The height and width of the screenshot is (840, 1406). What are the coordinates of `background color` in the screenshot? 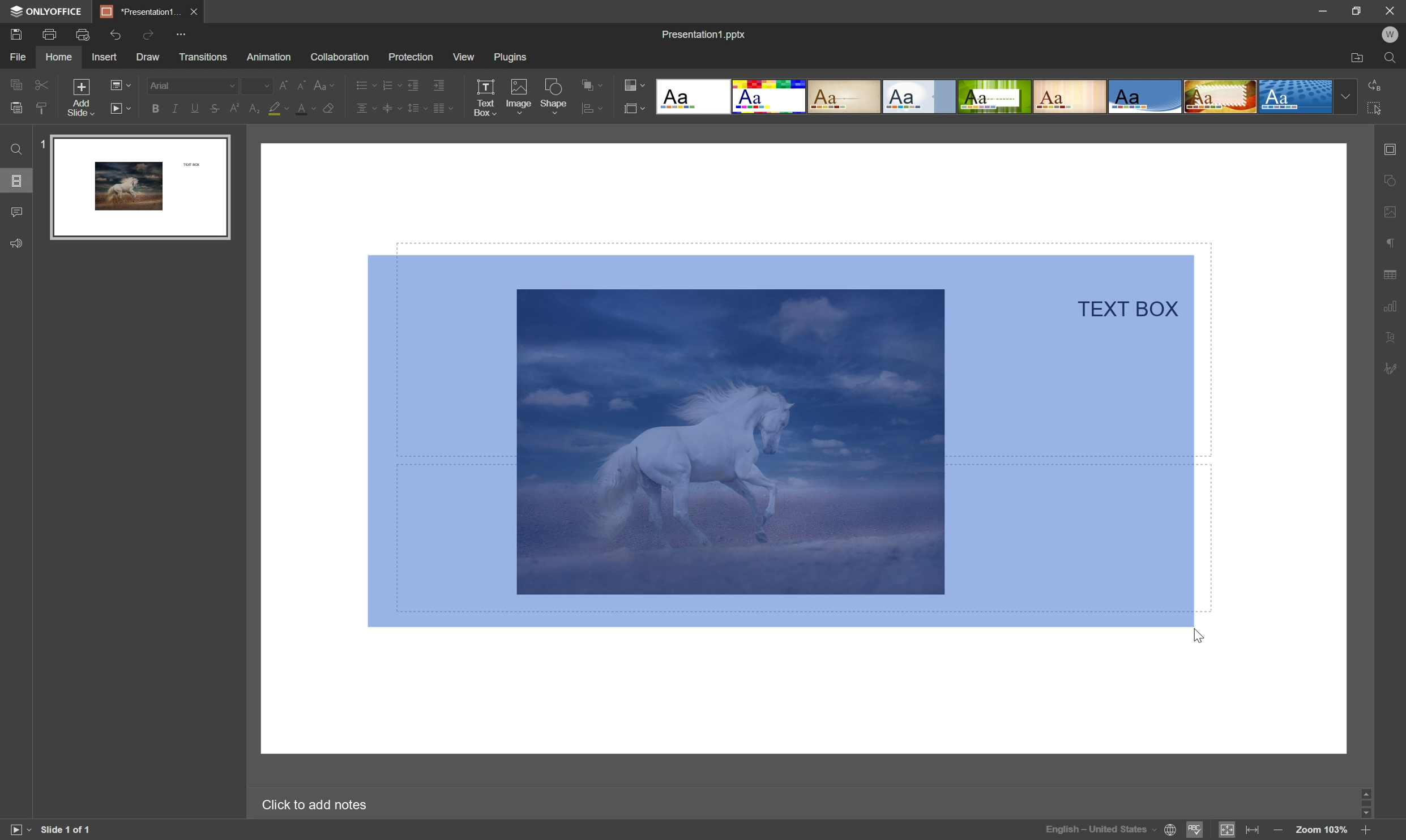 It's located at (279, 108).